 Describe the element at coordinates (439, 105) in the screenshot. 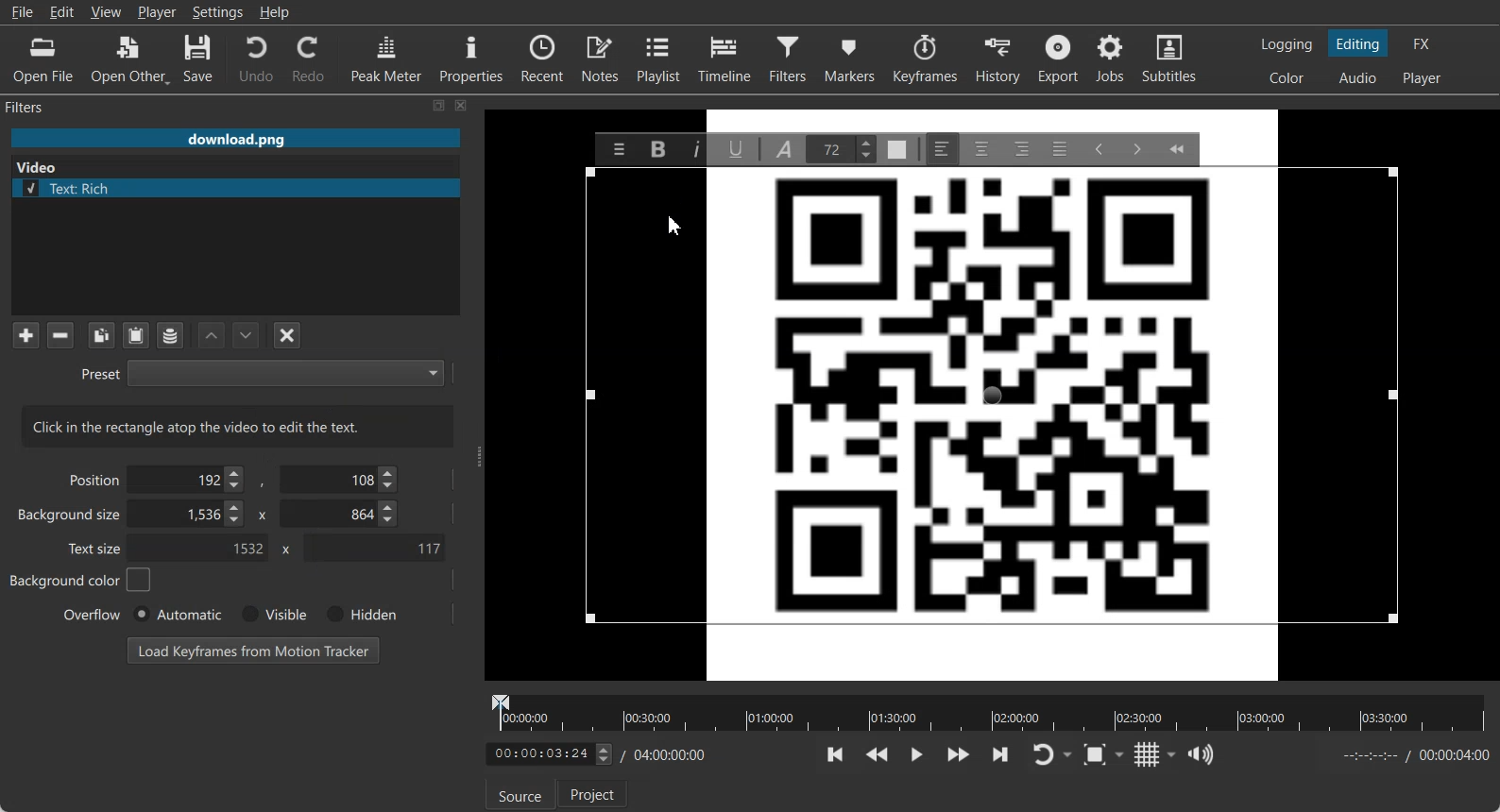

I see `Maximize` at that location.